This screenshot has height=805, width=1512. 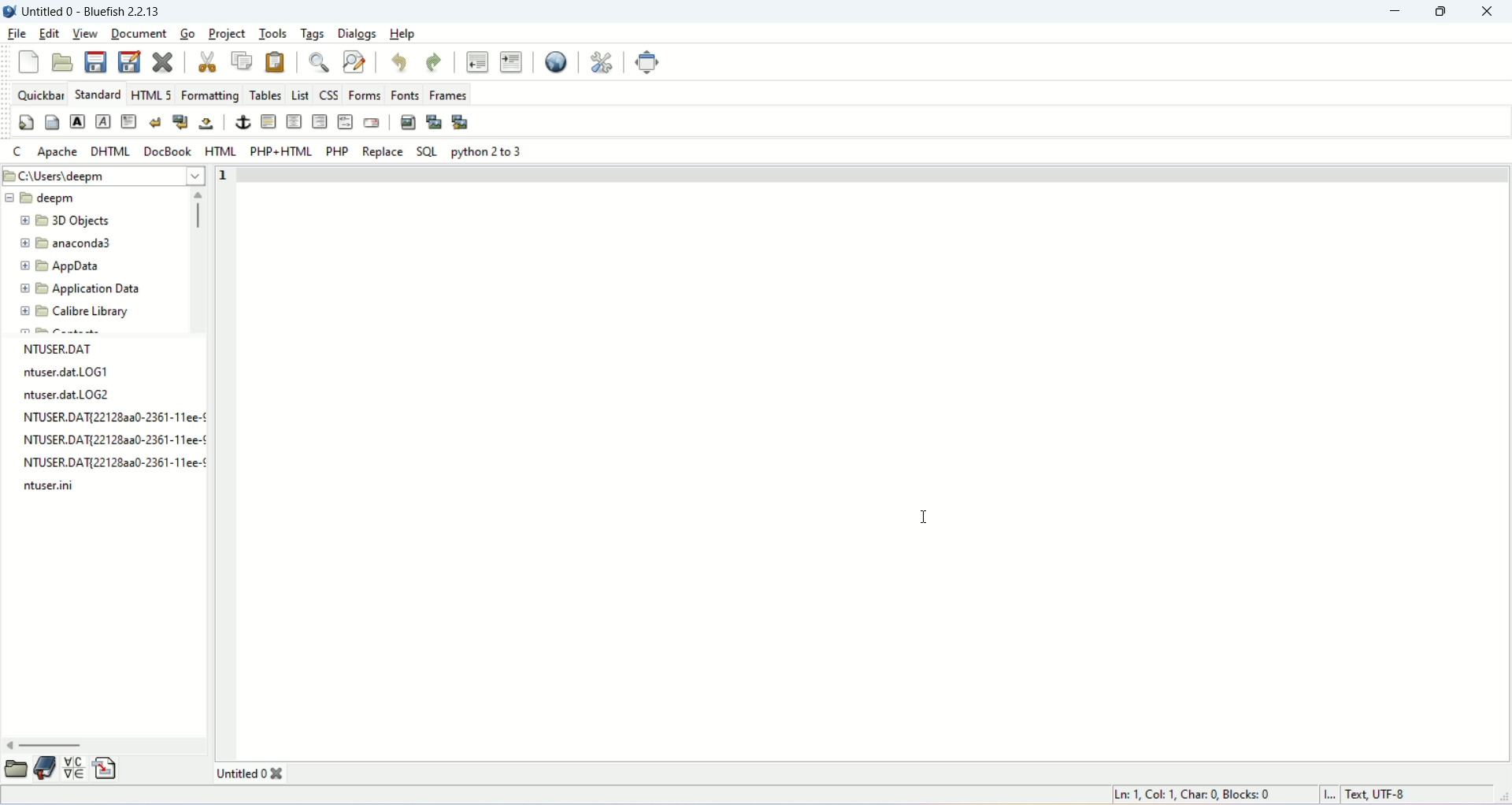 I want to click on list, so click(x=301, y=93).